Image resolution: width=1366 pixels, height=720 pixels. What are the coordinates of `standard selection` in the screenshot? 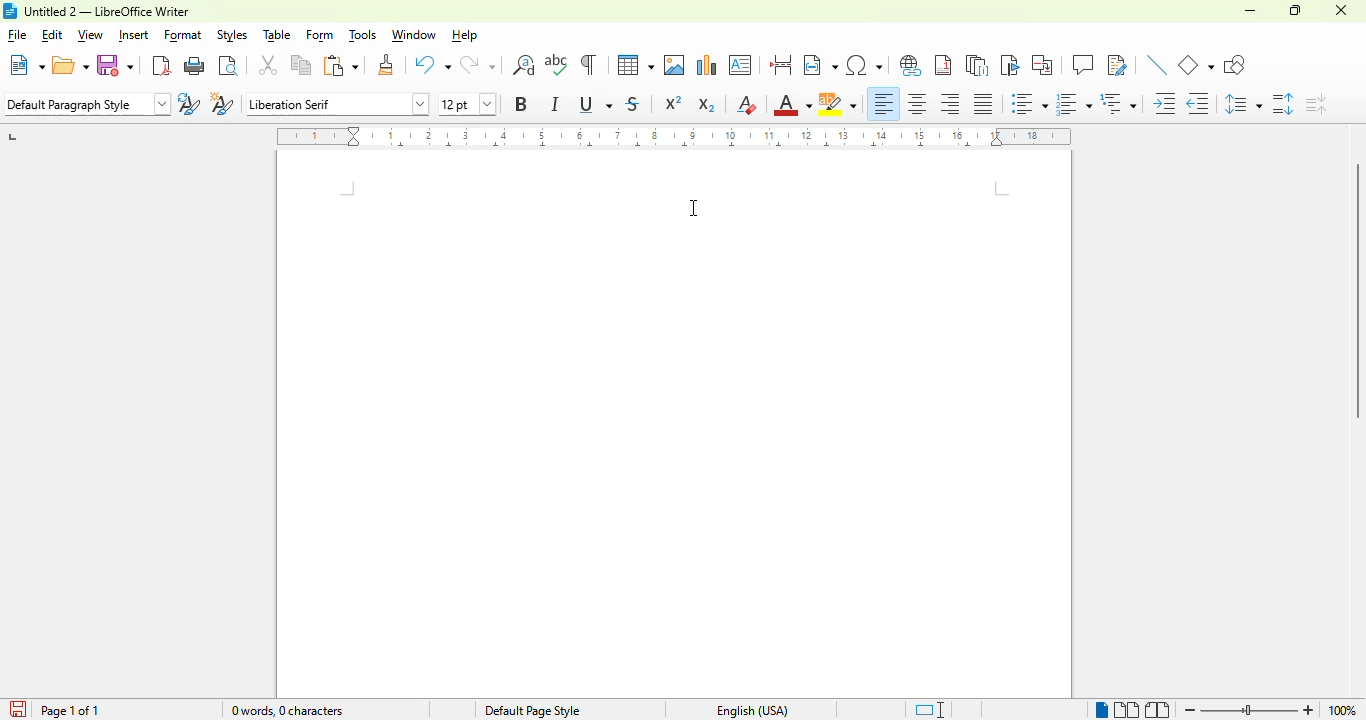 It's located at (930, 710).